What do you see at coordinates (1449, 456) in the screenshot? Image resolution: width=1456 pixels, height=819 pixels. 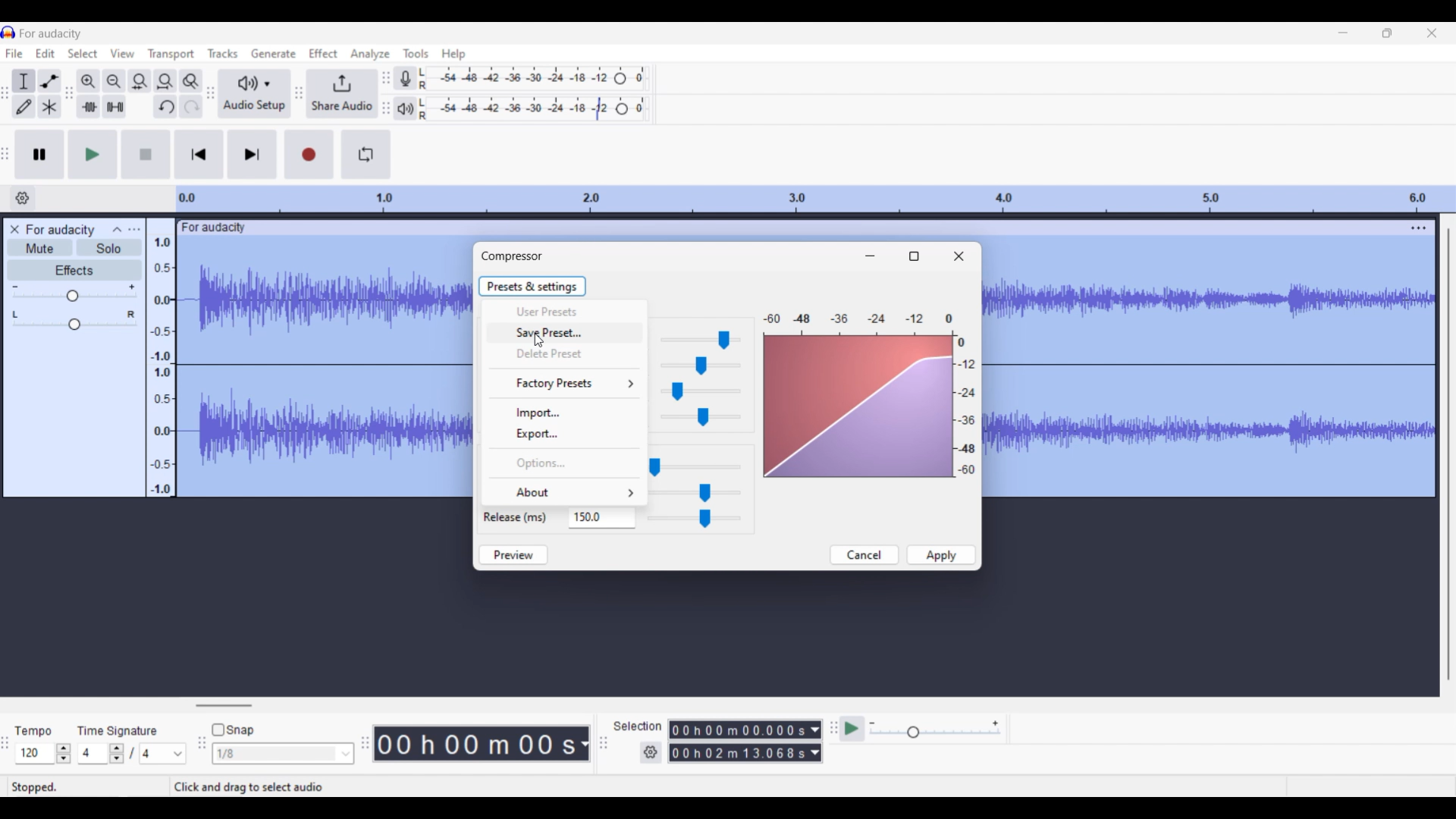 I see `Vertical slide bar` at bounding box center [1449, 456].